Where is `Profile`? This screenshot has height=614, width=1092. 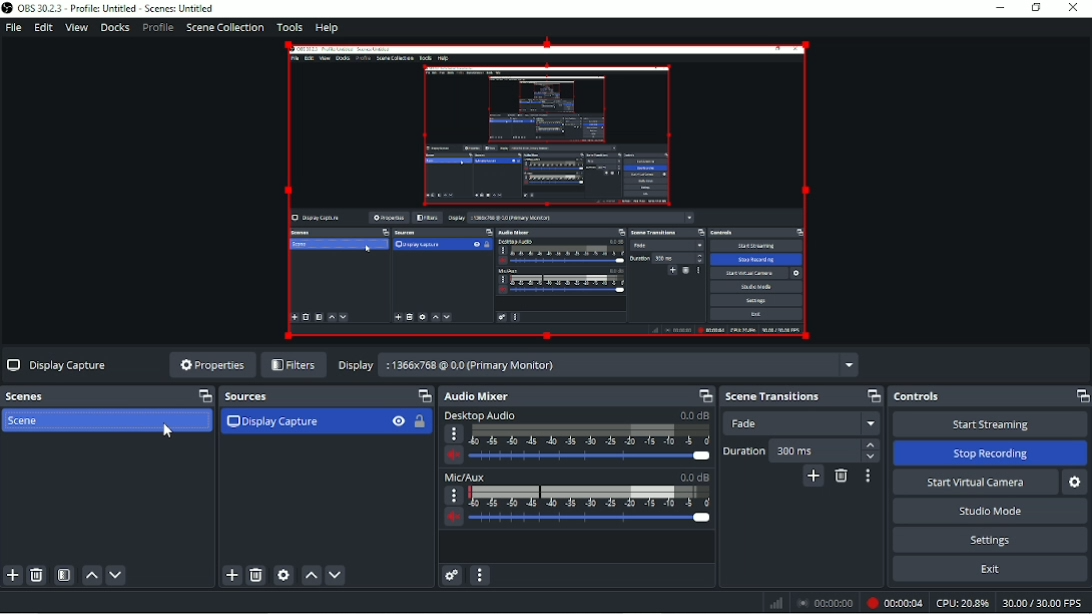 Profile is located at coordinates (157, 28).